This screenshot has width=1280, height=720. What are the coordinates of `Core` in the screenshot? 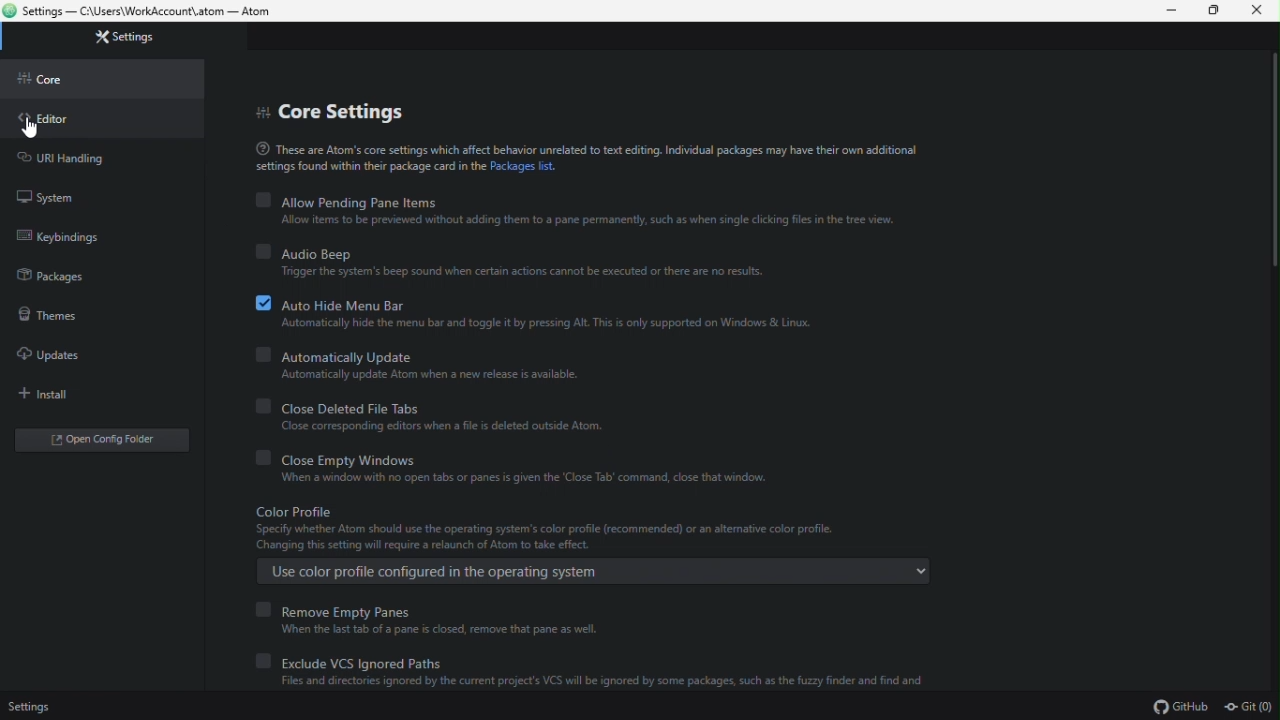 It's located at (66, 82).